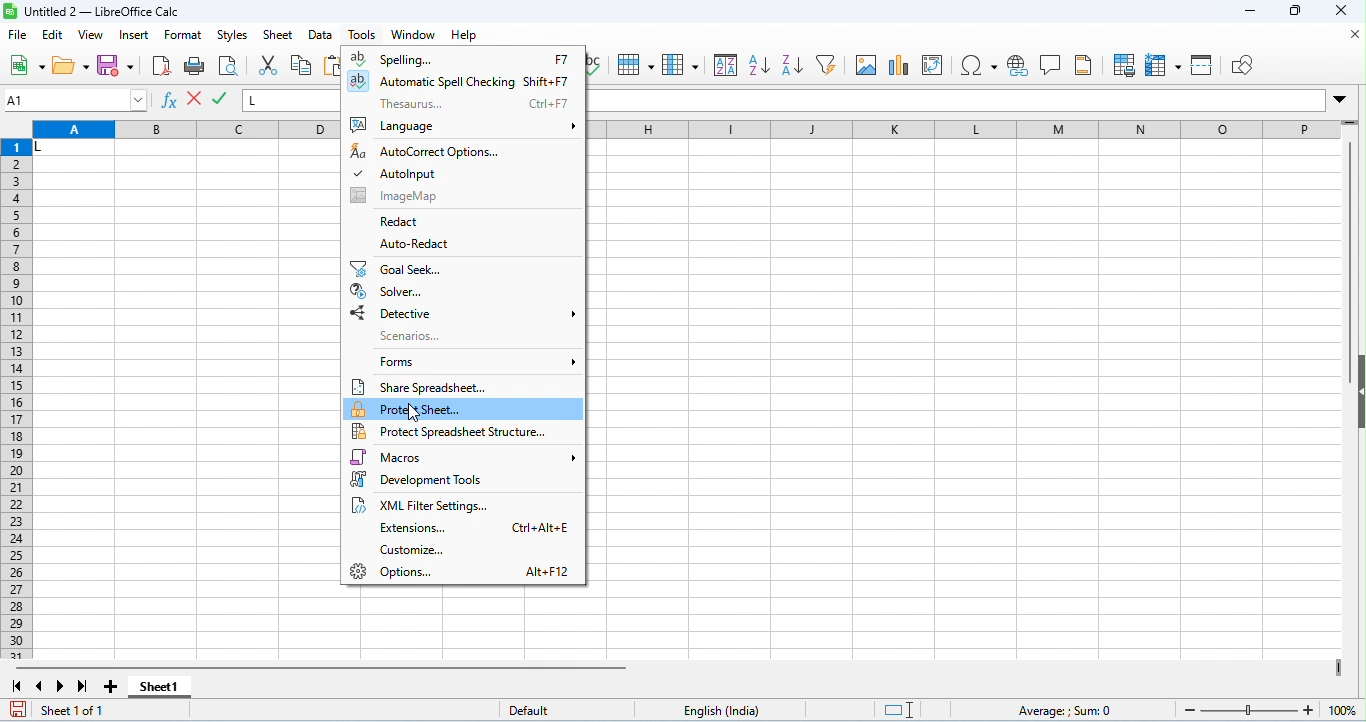 The height and width of the screenshot is (722, 1366). What do you see at coordinates (932, 65) in the screenshot?
I see `insert / add pivot table` at bounding box center [932, 65].